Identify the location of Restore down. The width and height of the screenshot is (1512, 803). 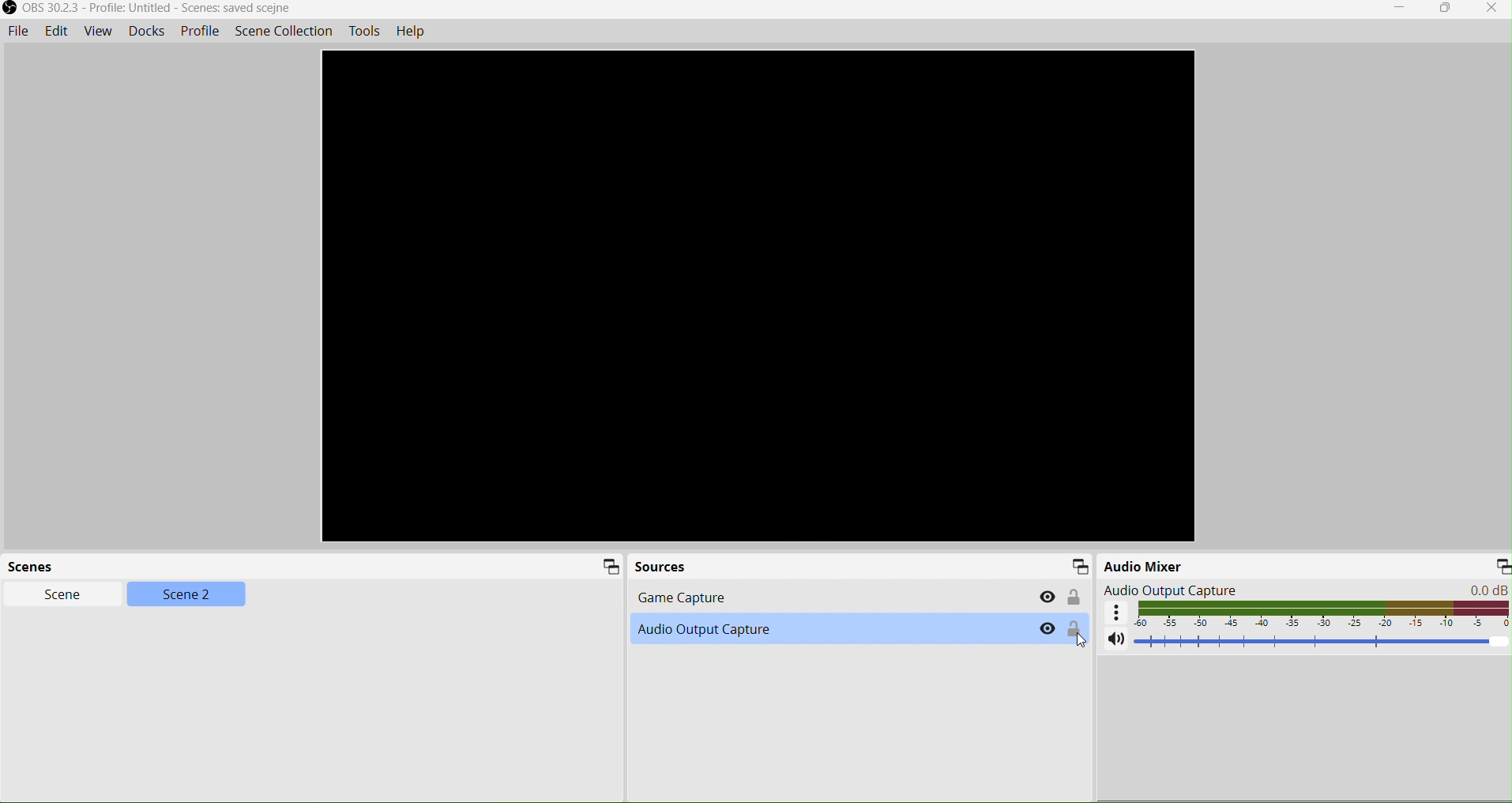
(1453, 9).